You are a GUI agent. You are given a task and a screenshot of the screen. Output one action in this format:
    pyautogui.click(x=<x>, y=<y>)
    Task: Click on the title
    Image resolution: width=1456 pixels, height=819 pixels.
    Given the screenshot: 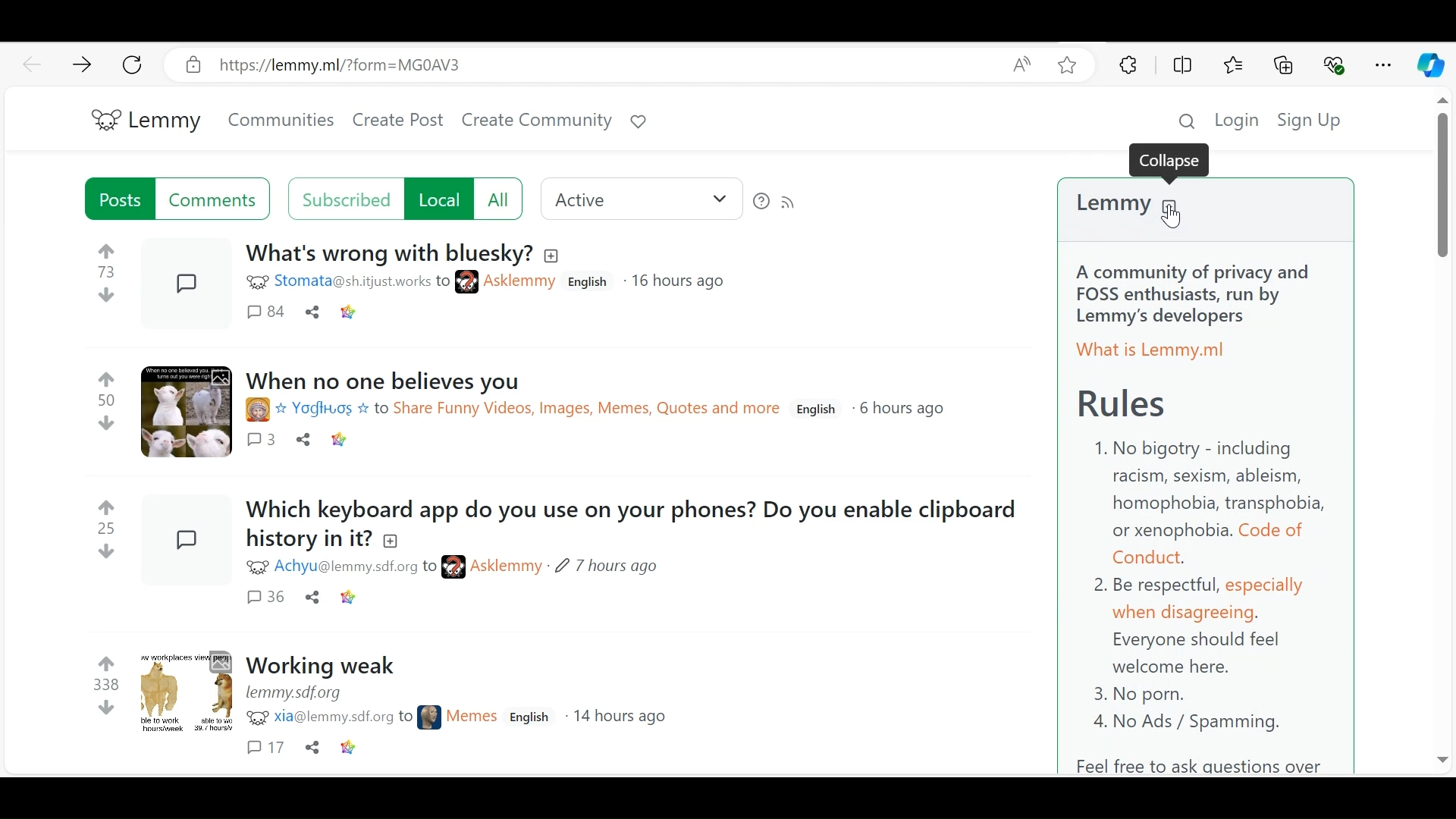 What is the action you would take?
    pyautogui.click(x=308, y=538)
    